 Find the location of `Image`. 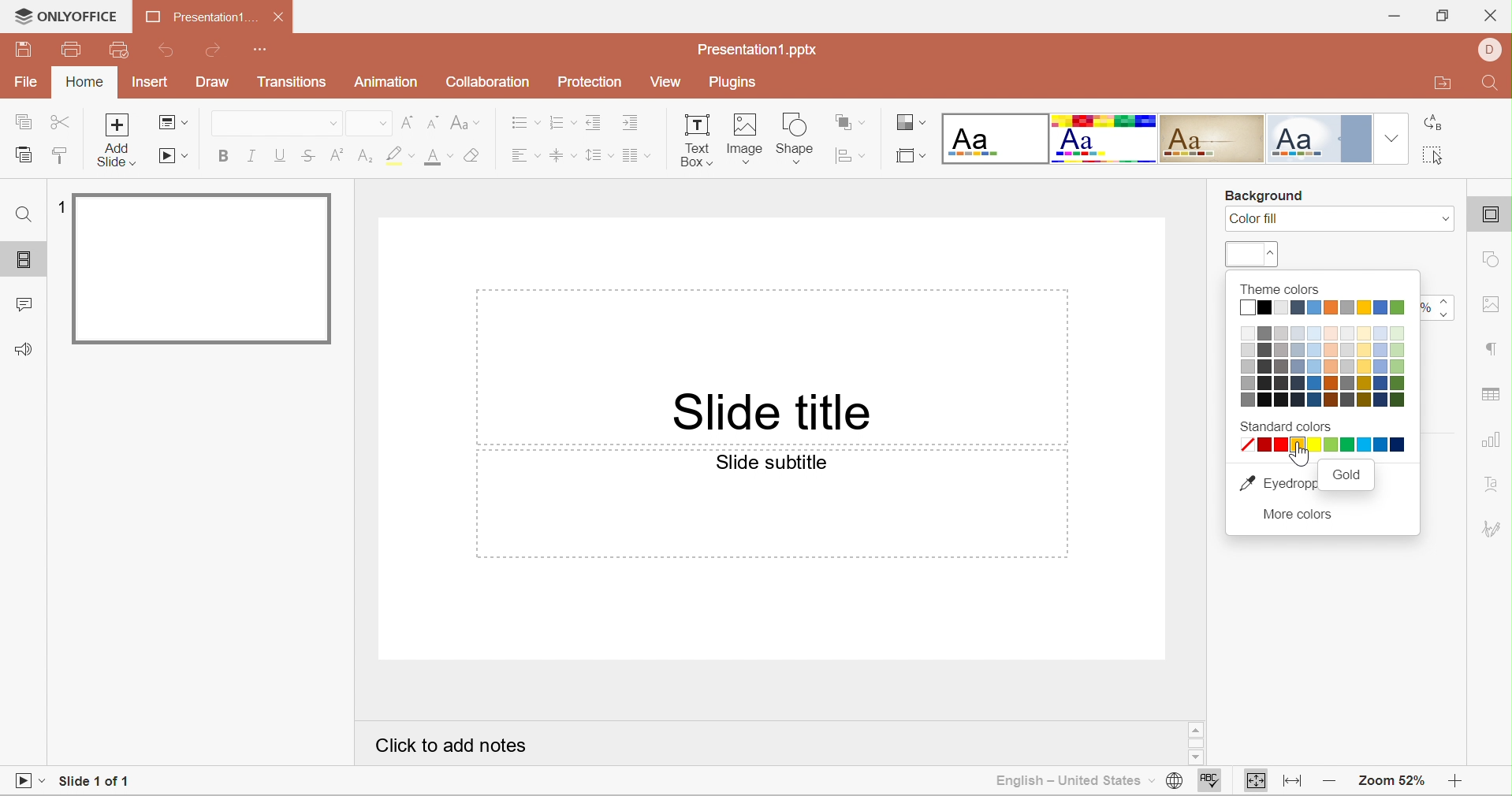

Image is located at coordinates (744, 136).